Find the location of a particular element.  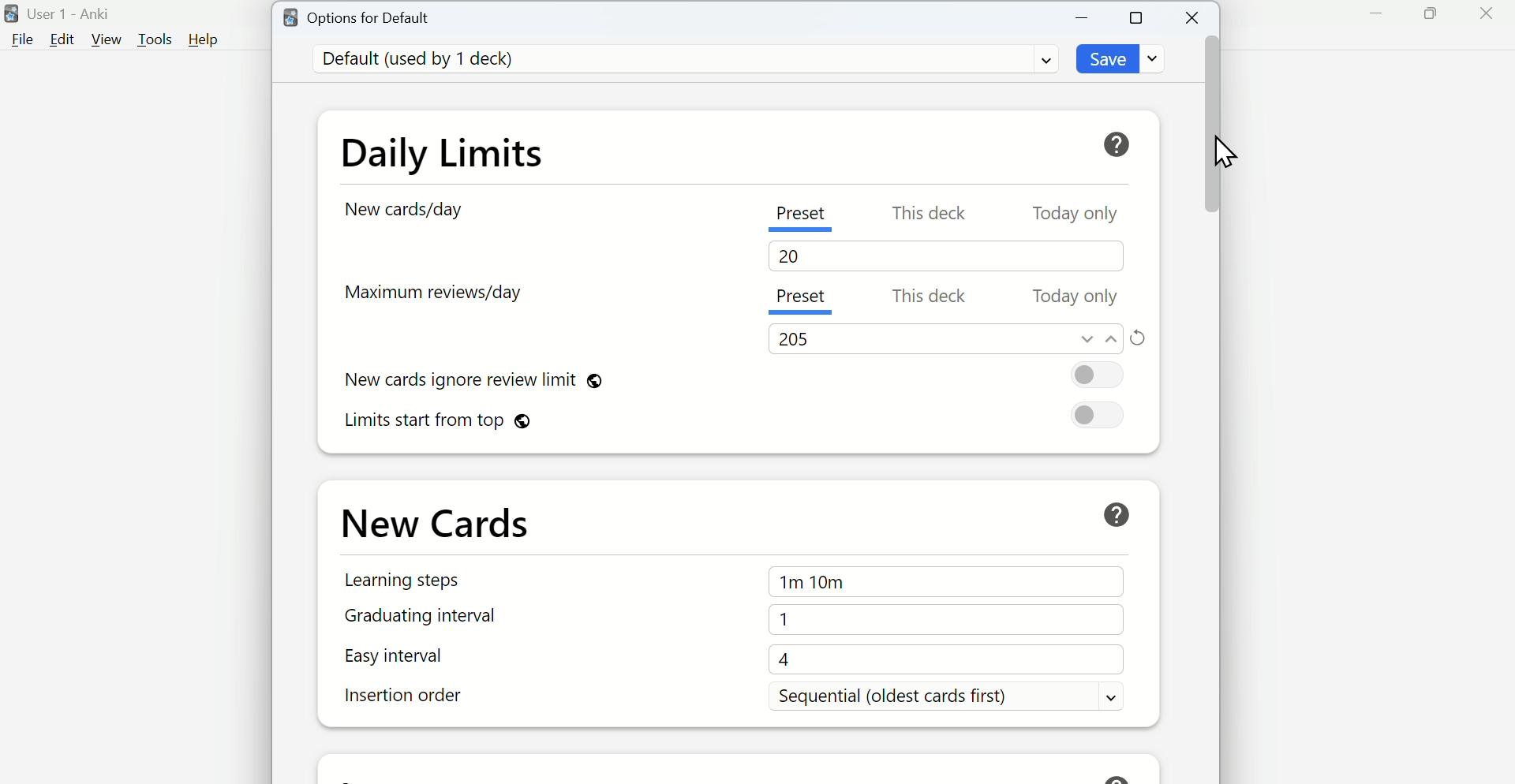

Daily Limits is located at coordinates (443, 157).